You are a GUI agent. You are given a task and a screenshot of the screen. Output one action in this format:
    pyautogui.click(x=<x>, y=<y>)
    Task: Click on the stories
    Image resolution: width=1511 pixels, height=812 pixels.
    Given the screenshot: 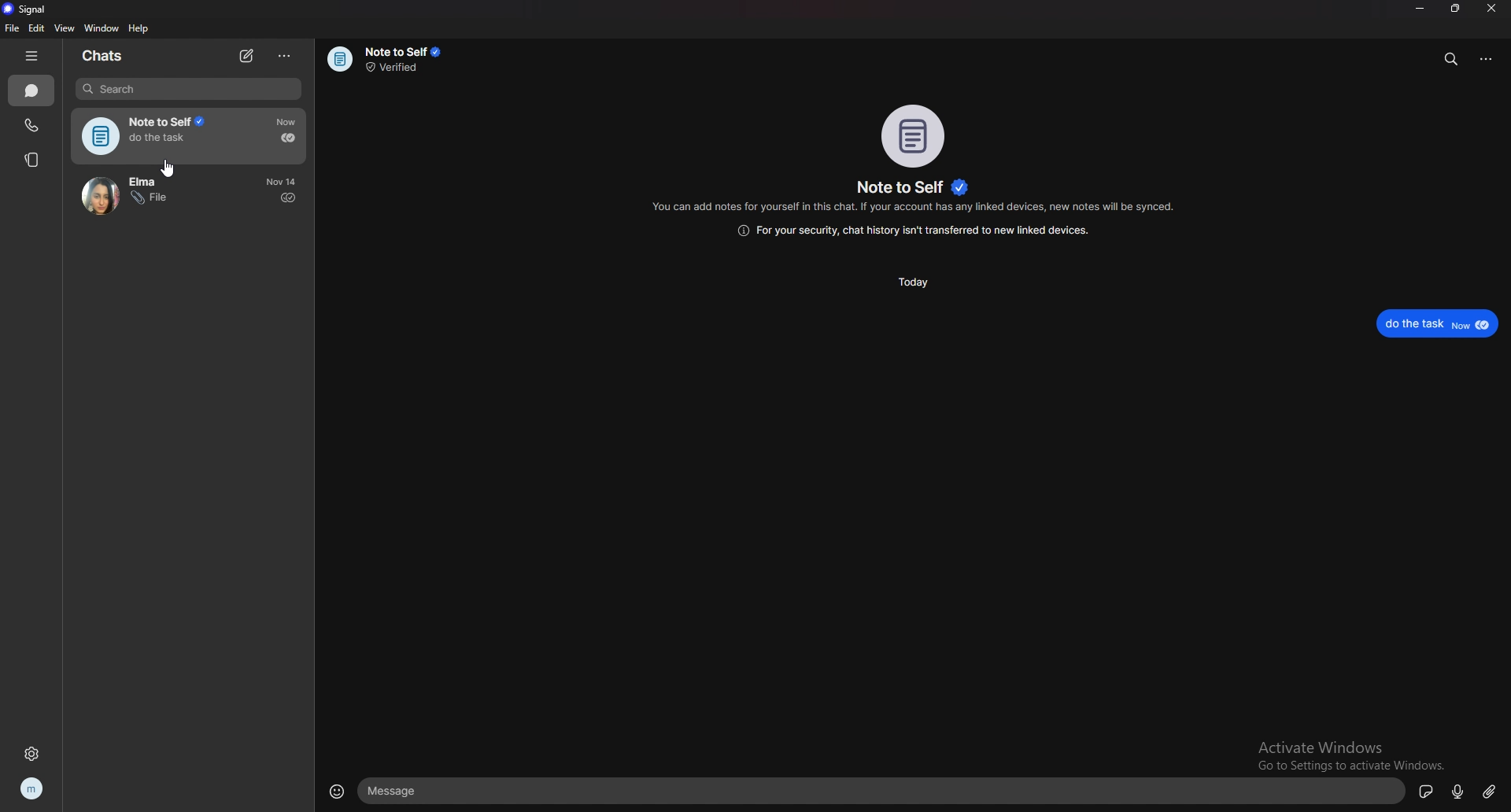 What is the action you would take?
    pyautogui.click(x=31, y=159)
    